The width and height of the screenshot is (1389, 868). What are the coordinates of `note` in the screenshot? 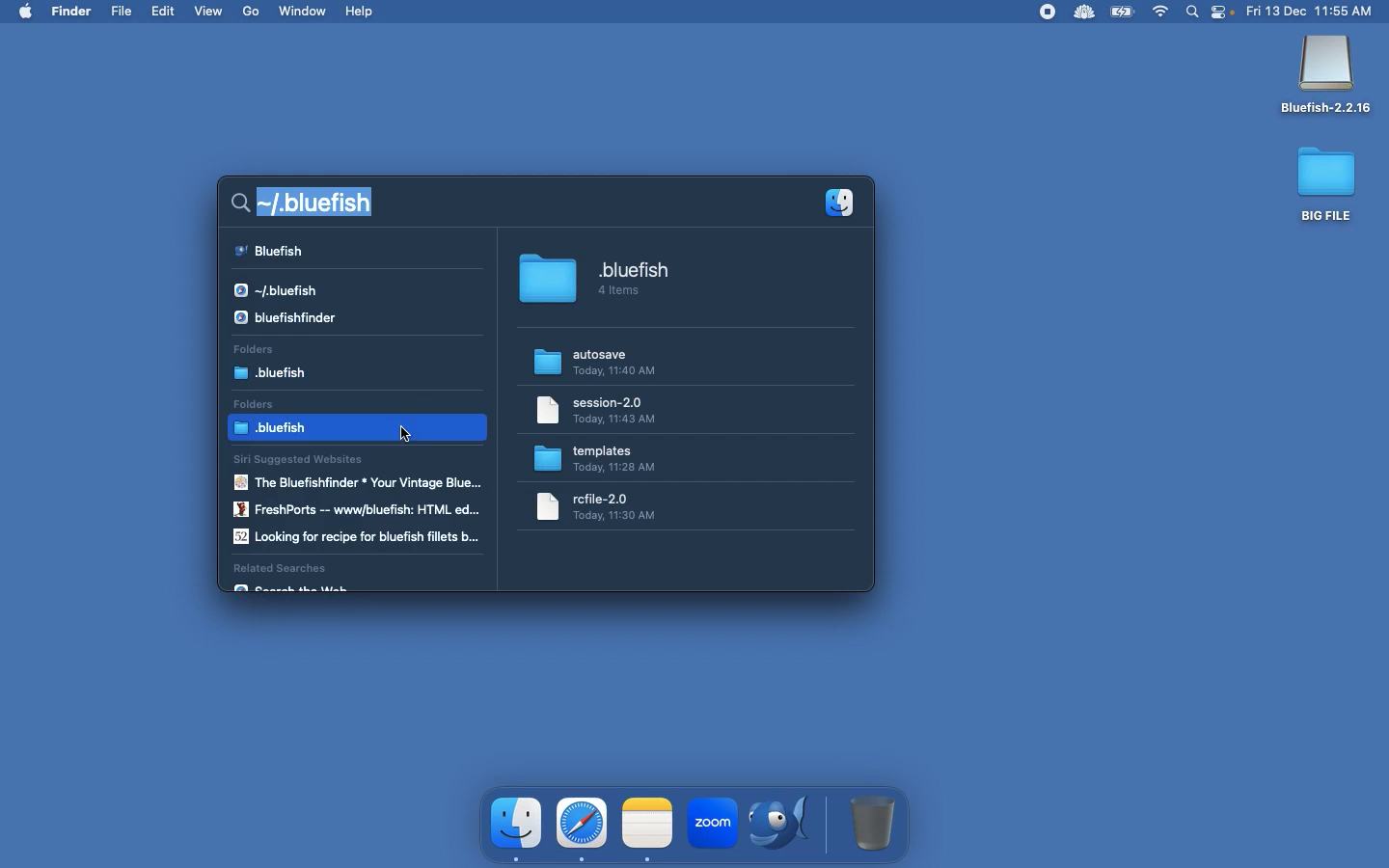 It's located at (647, 821).